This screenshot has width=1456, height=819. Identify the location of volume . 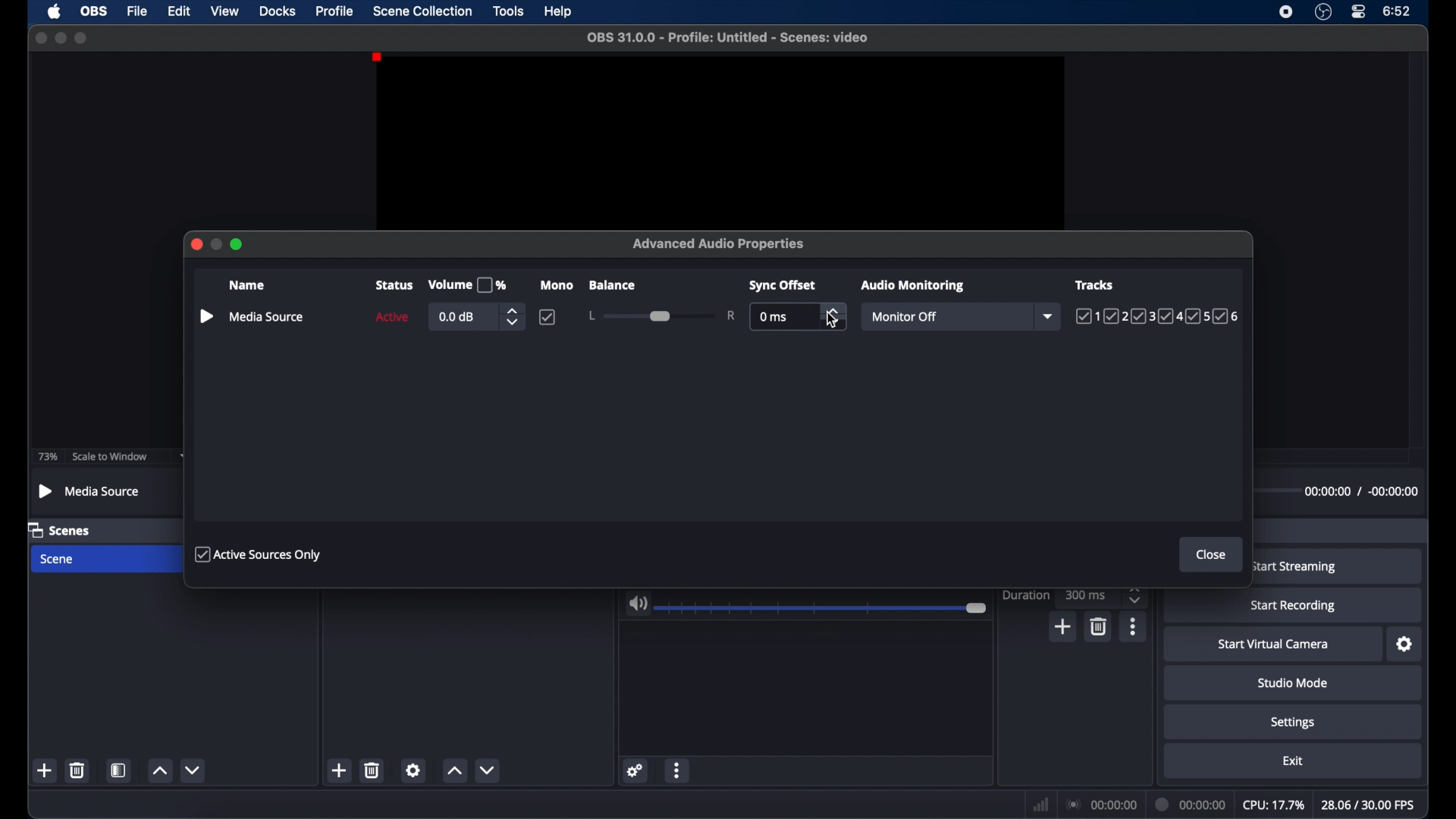
(467, 286).